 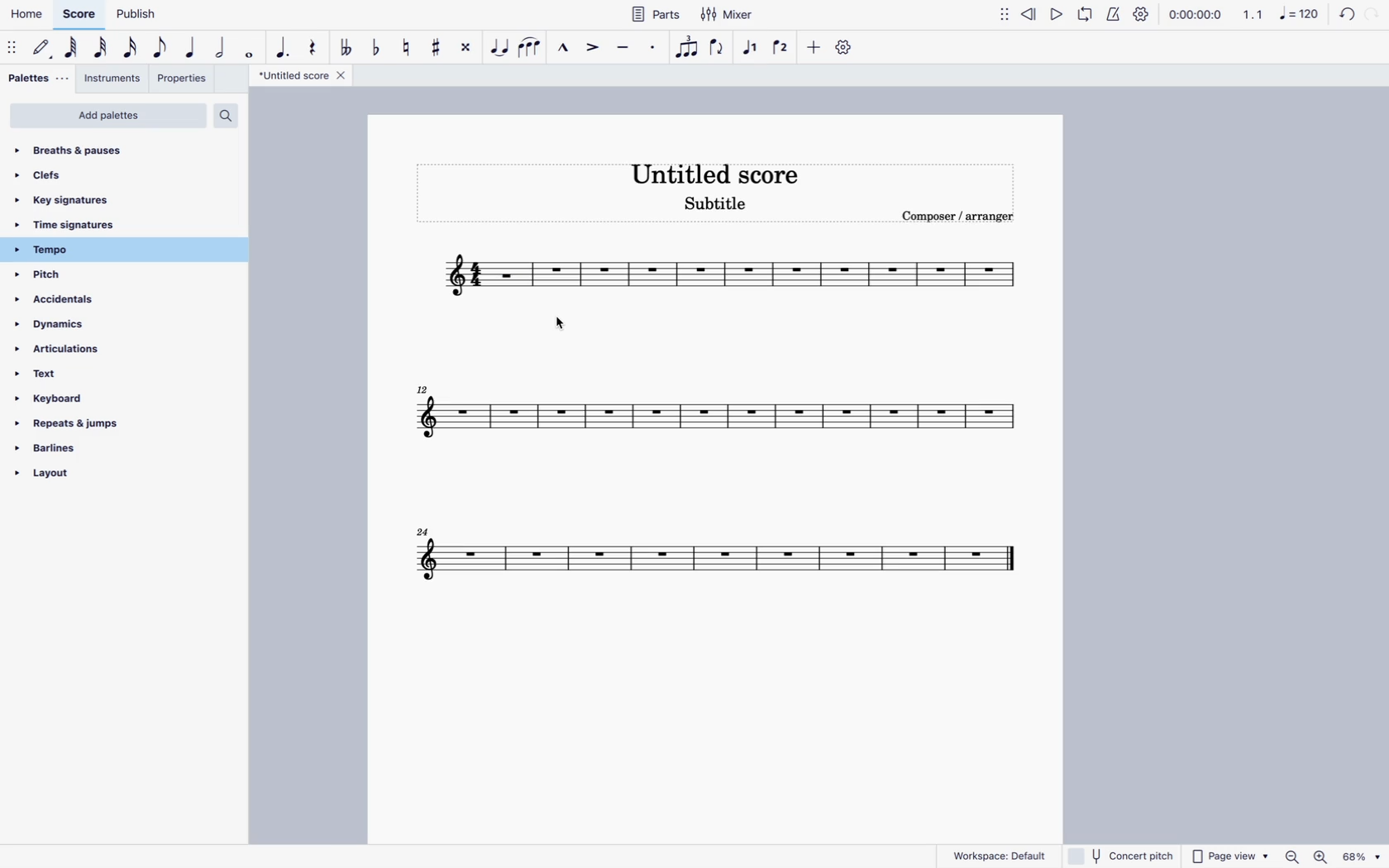 What do you see at coordinates (1056, 13) in the screenshot?
I see `play` at bounding box center [1056, 13].